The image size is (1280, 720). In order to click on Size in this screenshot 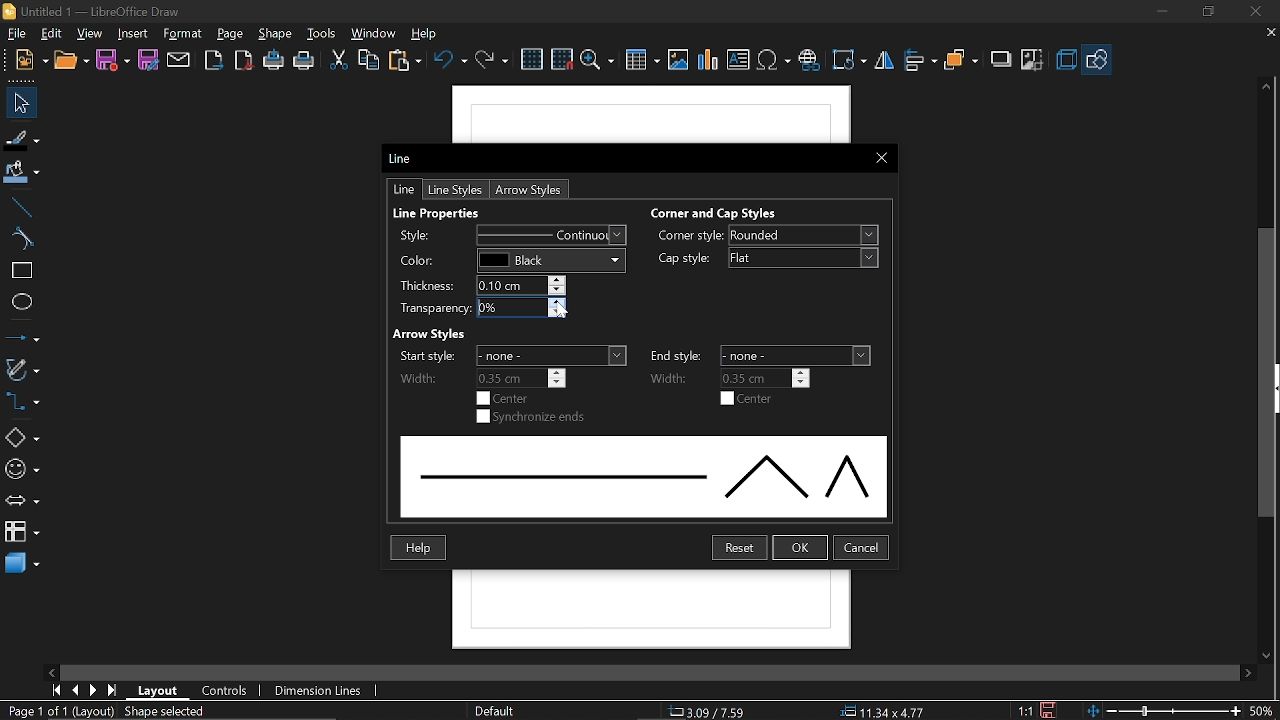, I will do `click(878, 710)`.